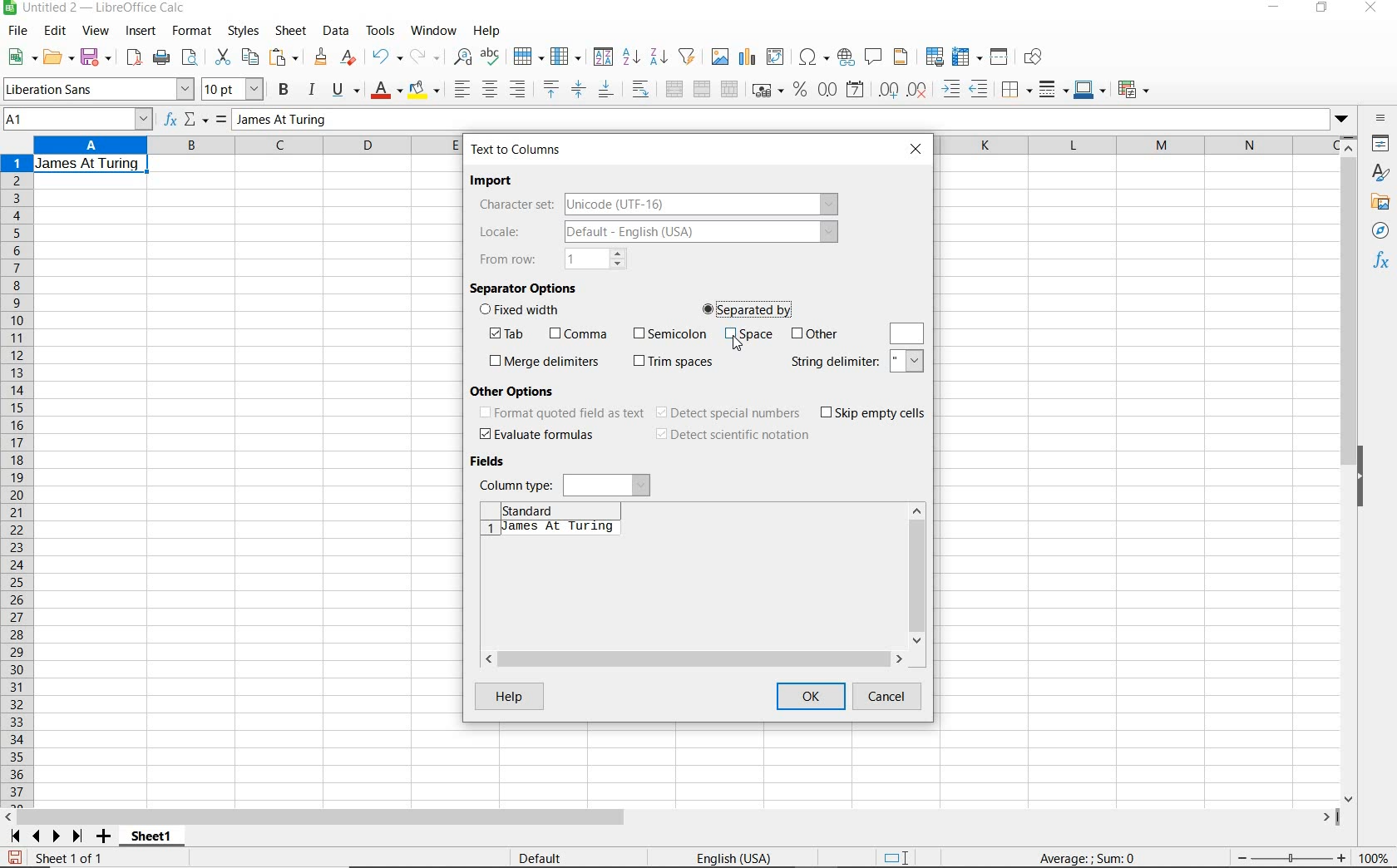 Image resolution: width=1397 pixels, height=868 pixels. I want to click on separated by, so click(748, 308).